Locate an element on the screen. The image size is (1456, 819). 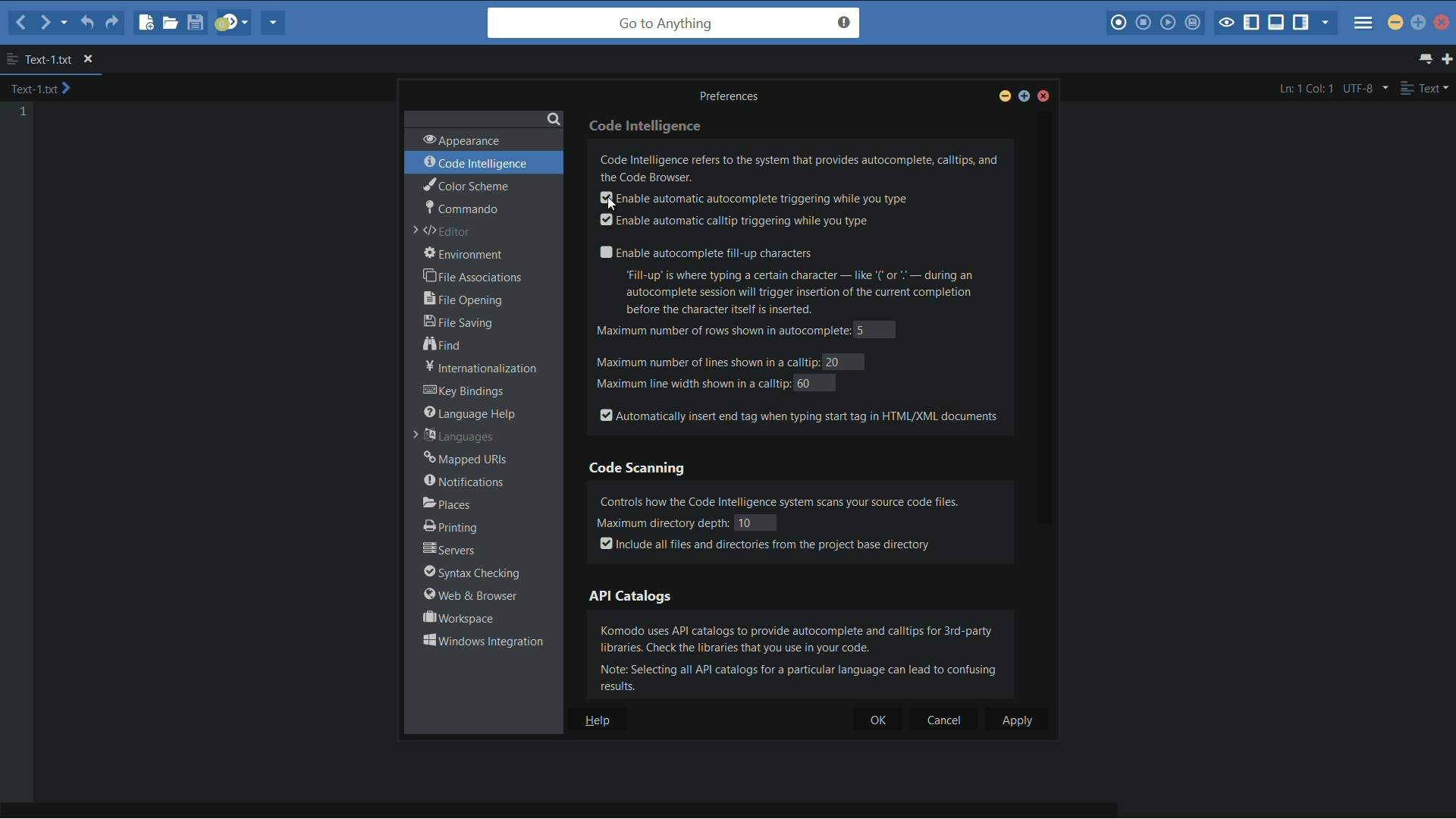
apply is located at coordinates (1018, 720).